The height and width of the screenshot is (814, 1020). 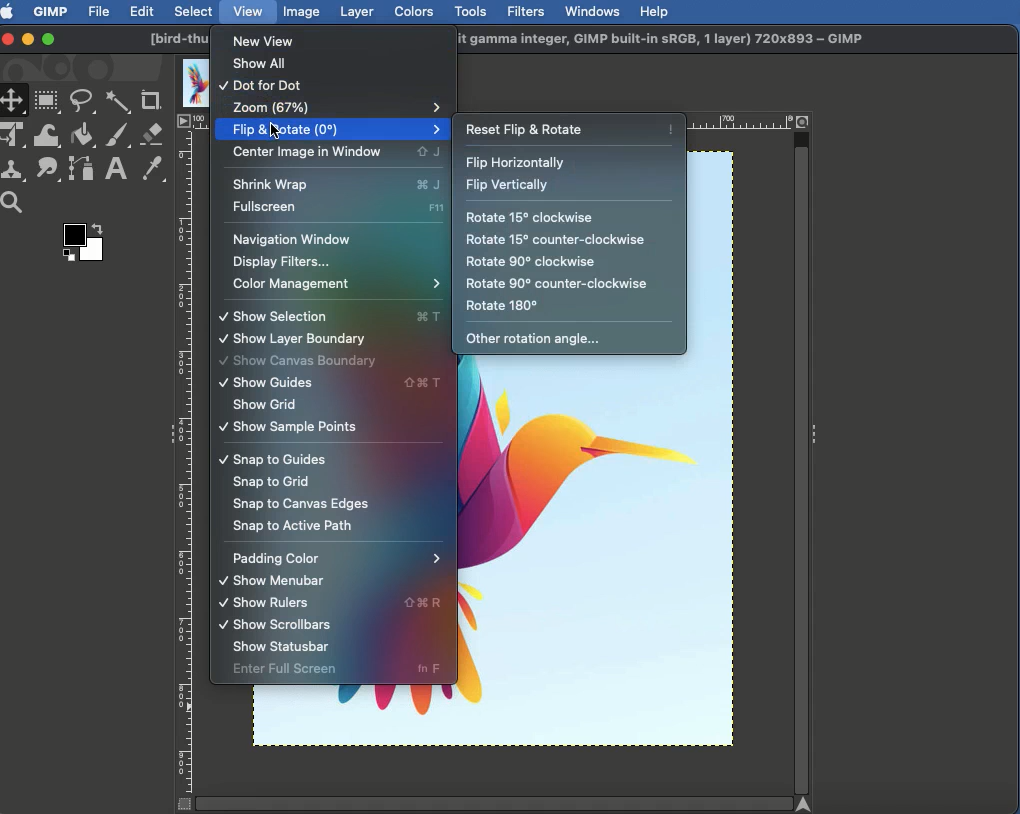 What do you see at coordinates (670, 40) in the screenshot?
I see `[bird-thumbnail] (imported)-3.0 (RGB color 8-bit gamma integer, GIMP built-in SRGB, 1 layer) 720x893 ~ GIMP.` at bounding box center [670, 40].